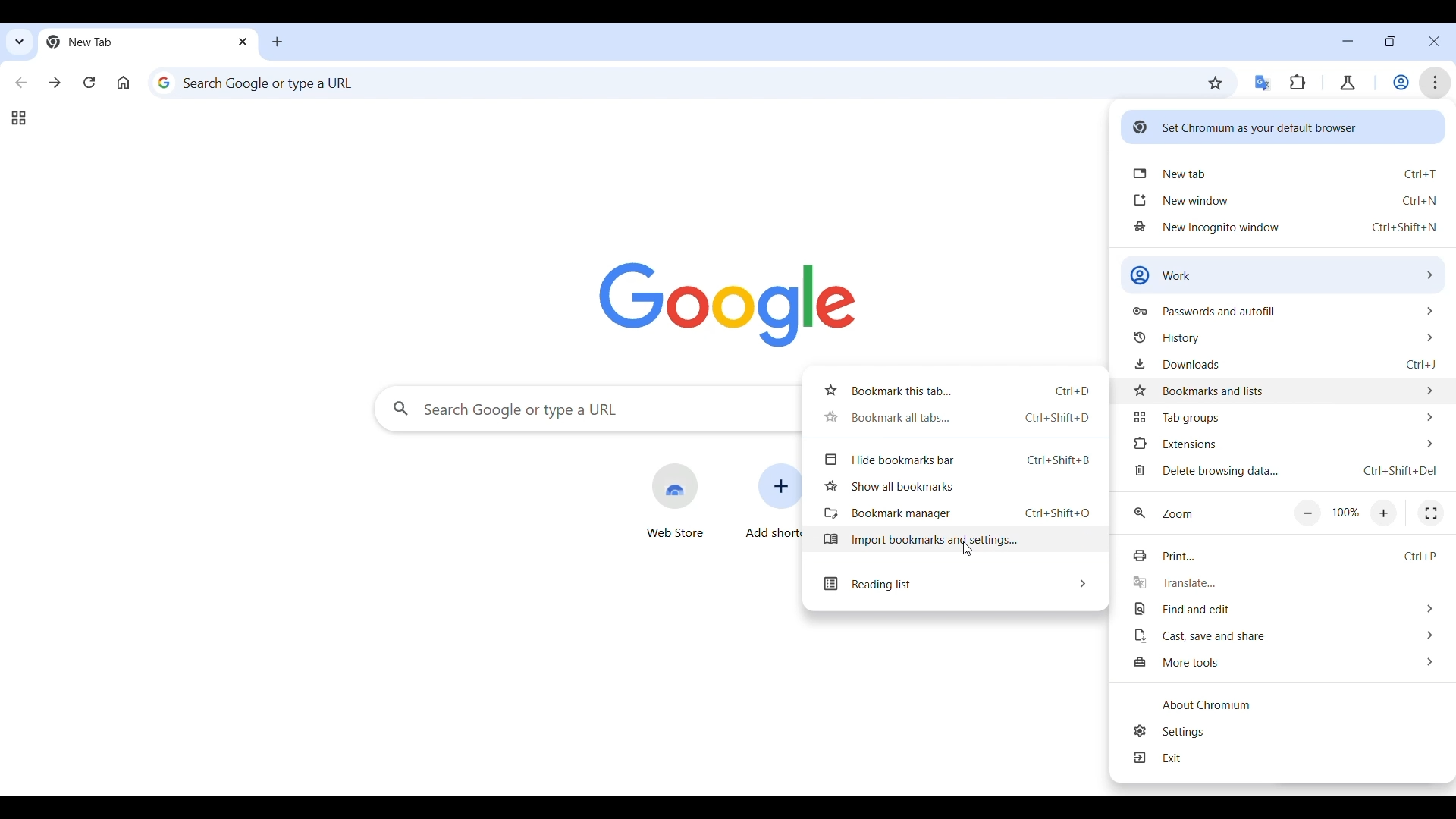  I want to click on Bookmark all tabs..., so click(953, 417).